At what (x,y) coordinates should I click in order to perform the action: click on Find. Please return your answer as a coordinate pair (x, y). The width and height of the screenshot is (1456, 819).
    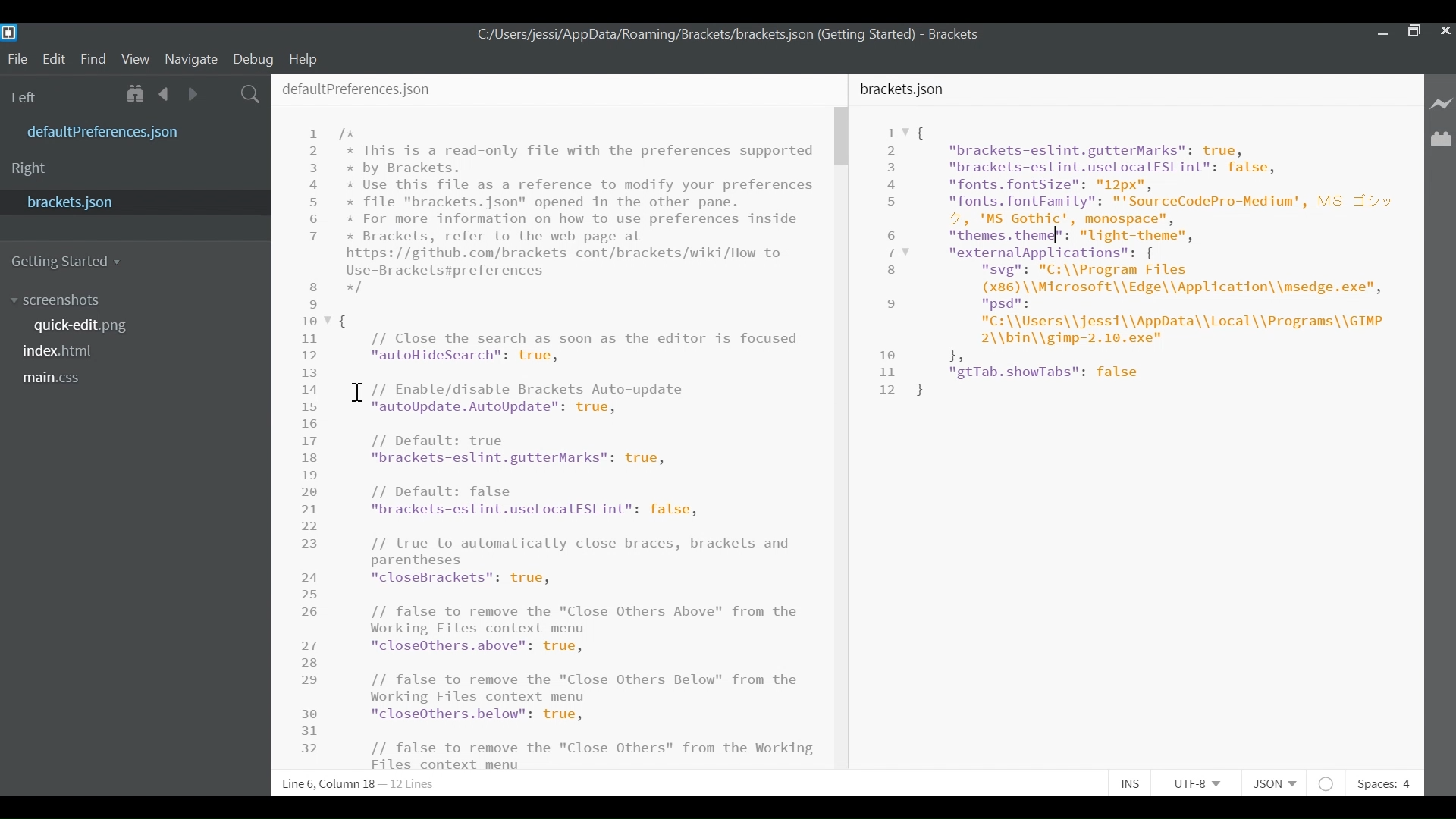
    Looking at the image, I should click on (93, 58).